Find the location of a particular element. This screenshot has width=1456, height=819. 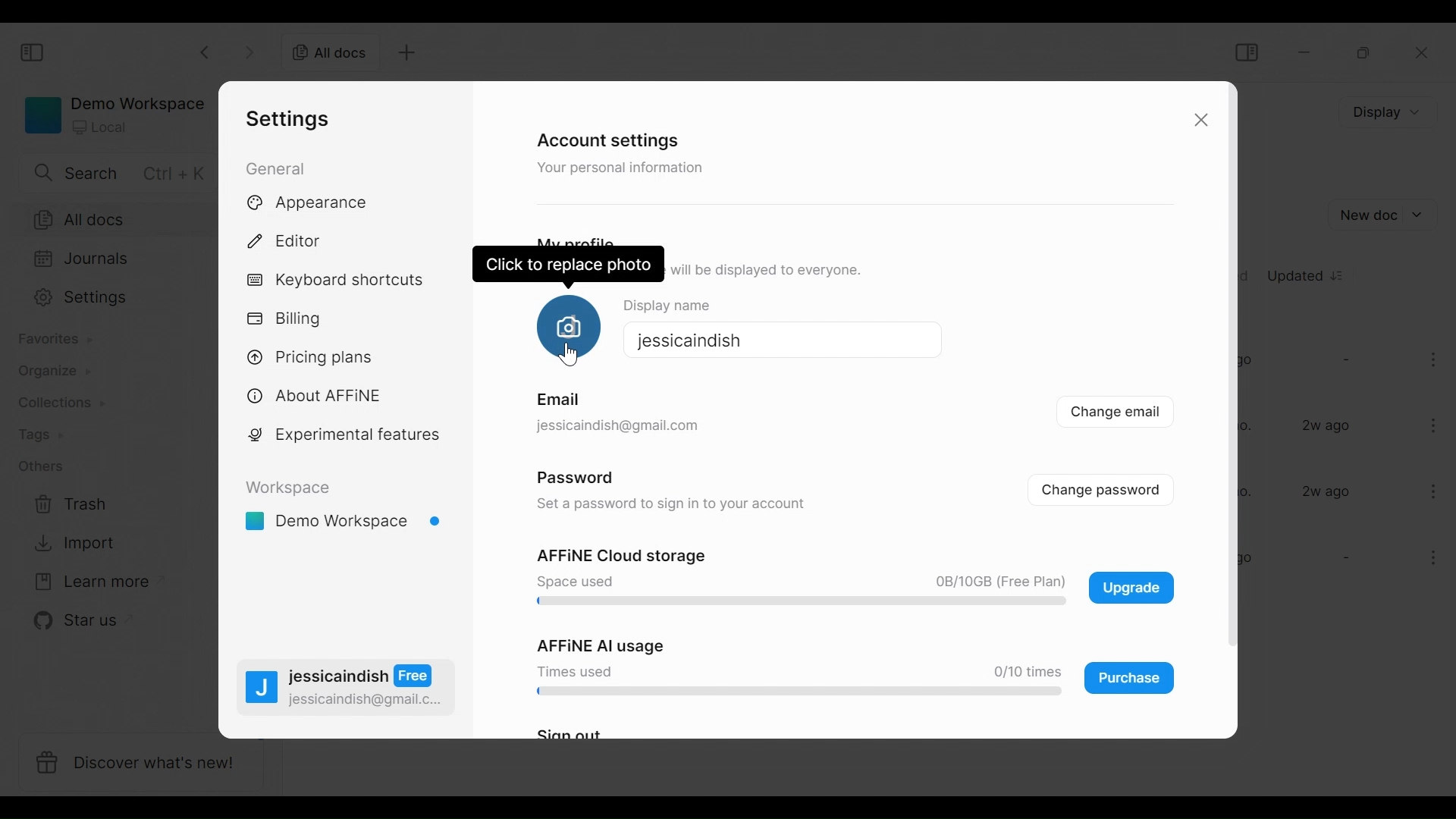

Tags is located at coordinates (49, 434).